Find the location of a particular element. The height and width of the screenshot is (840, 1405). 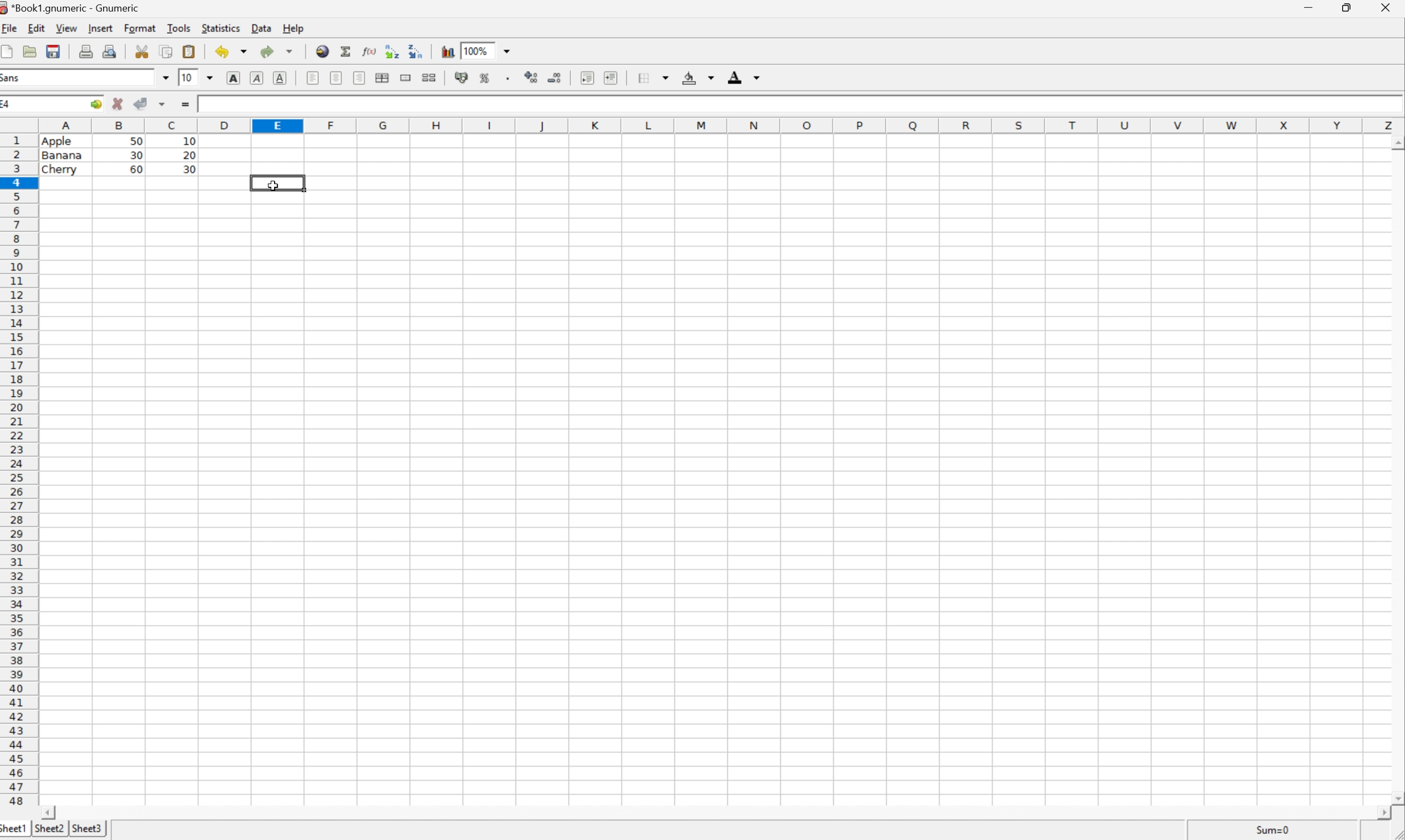

edit function in current cell is located at coordinates (370, 50).